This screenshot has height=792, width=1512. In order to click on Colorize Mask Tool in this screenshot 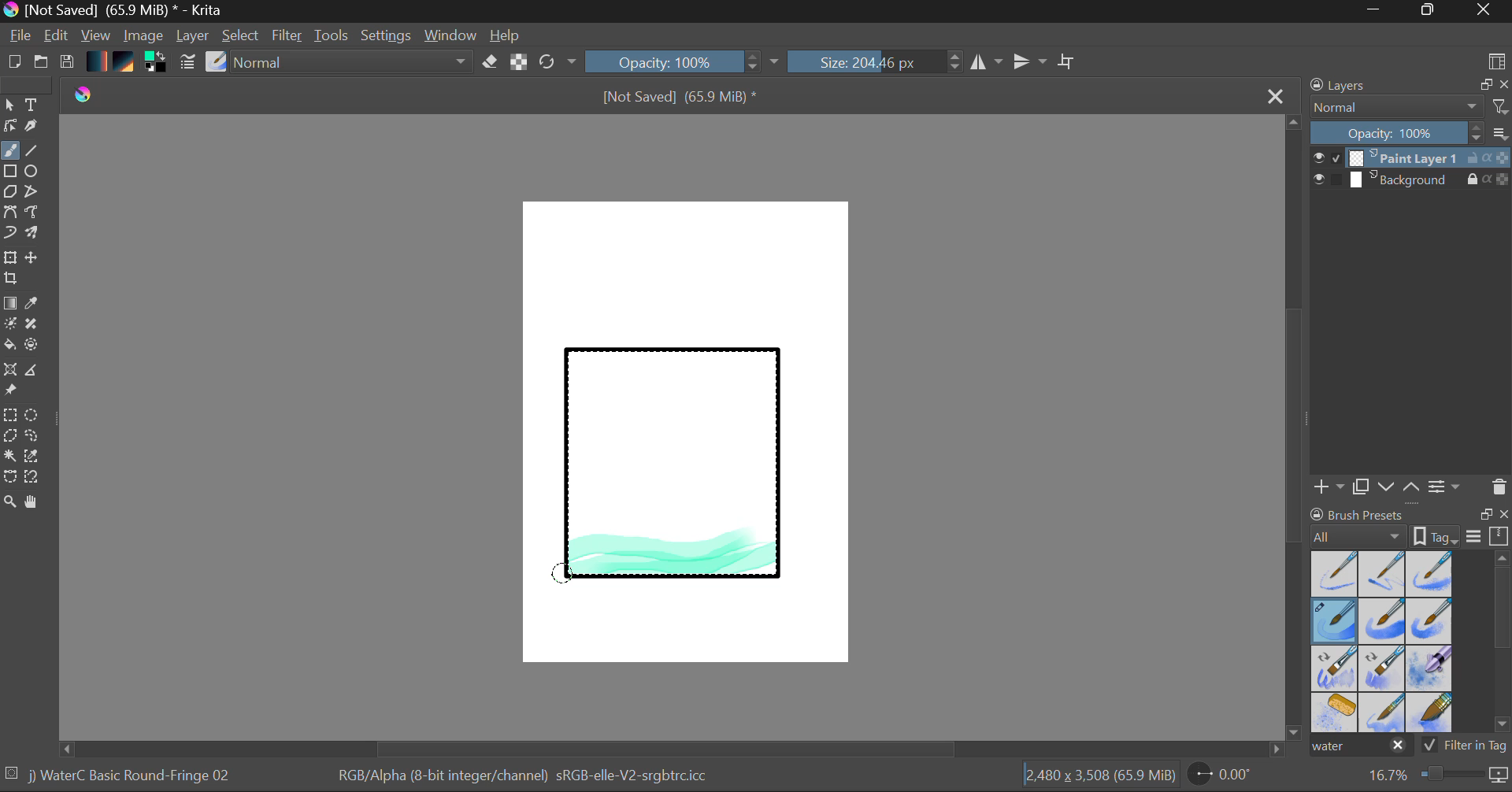, I will do `click(11, 325)`.